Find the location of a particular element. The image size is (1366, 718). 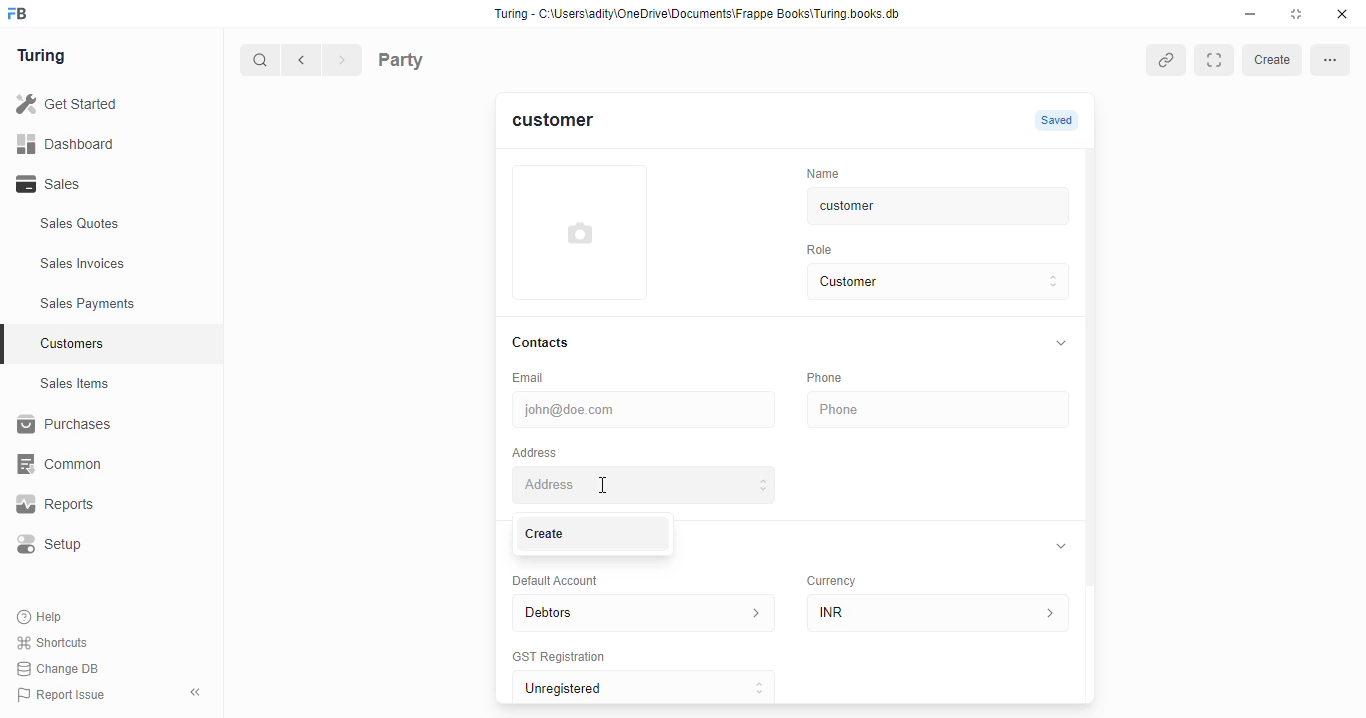

customer is located at coordinates (915, 209).